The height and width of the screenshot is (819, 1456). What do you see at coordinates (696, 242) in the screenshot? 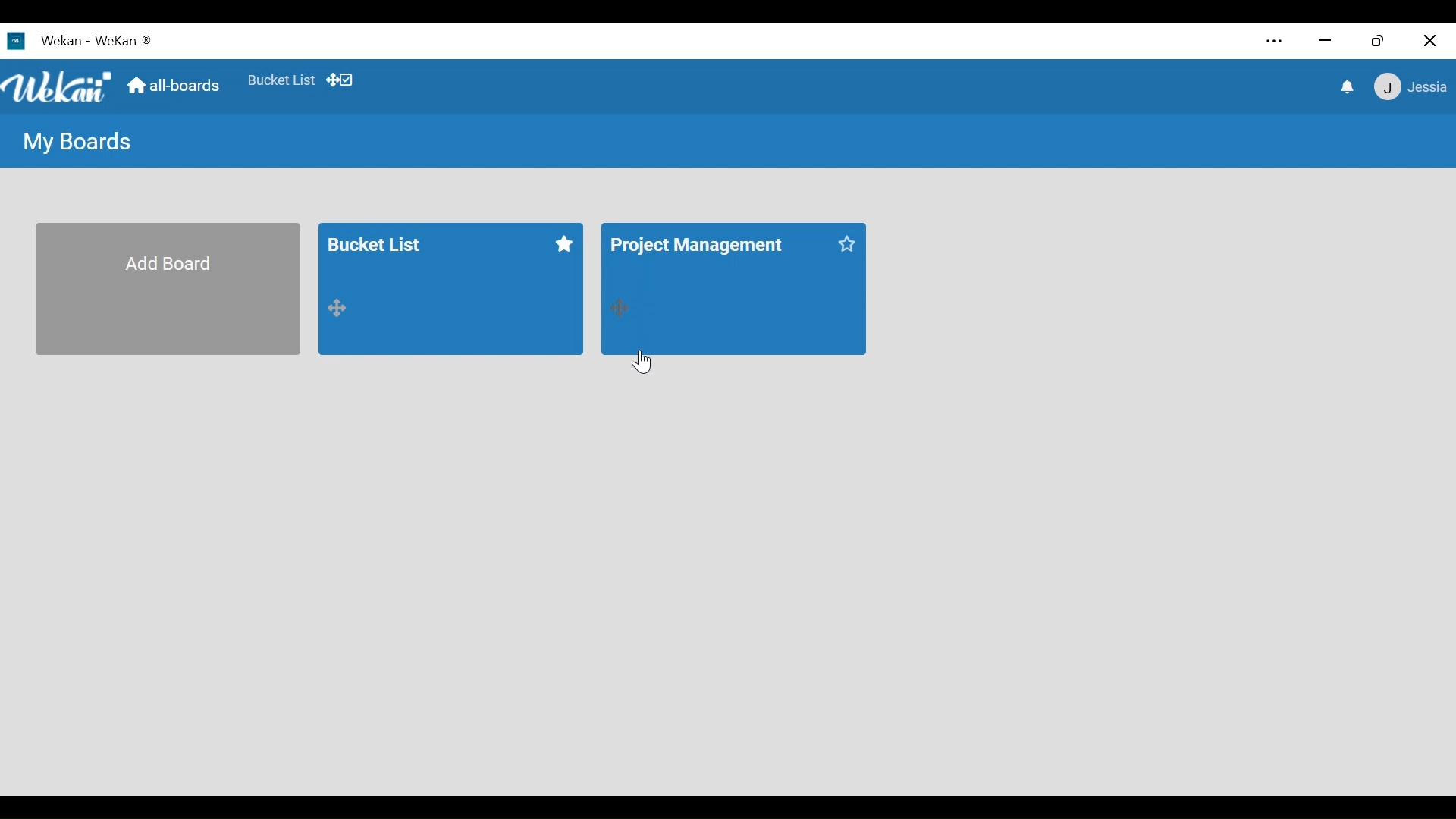
I see `Project Management` at bounding box center [696, 242].